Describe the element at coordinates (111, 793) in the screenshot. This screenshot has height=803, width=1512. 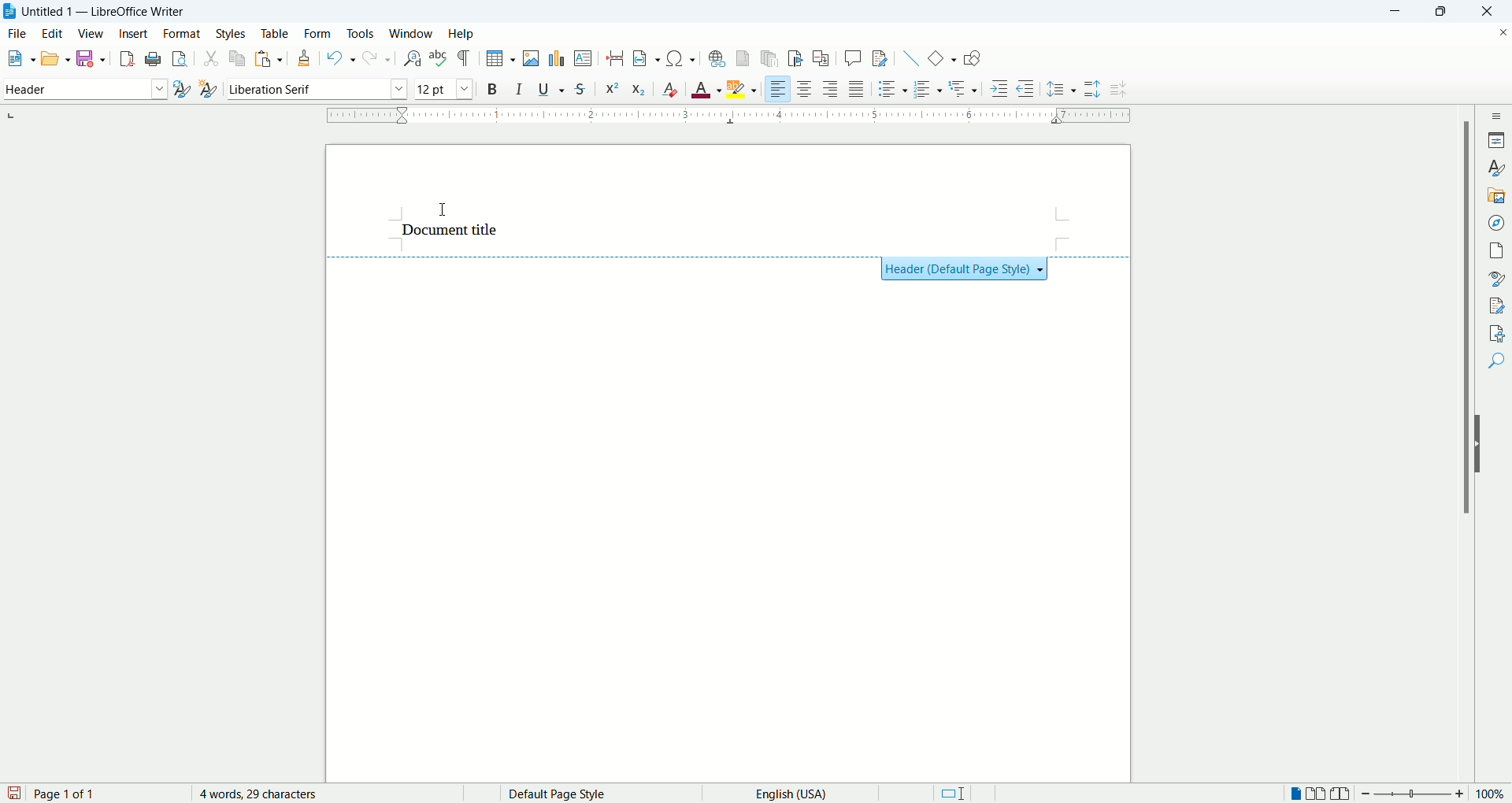
I see `page count` at that location.